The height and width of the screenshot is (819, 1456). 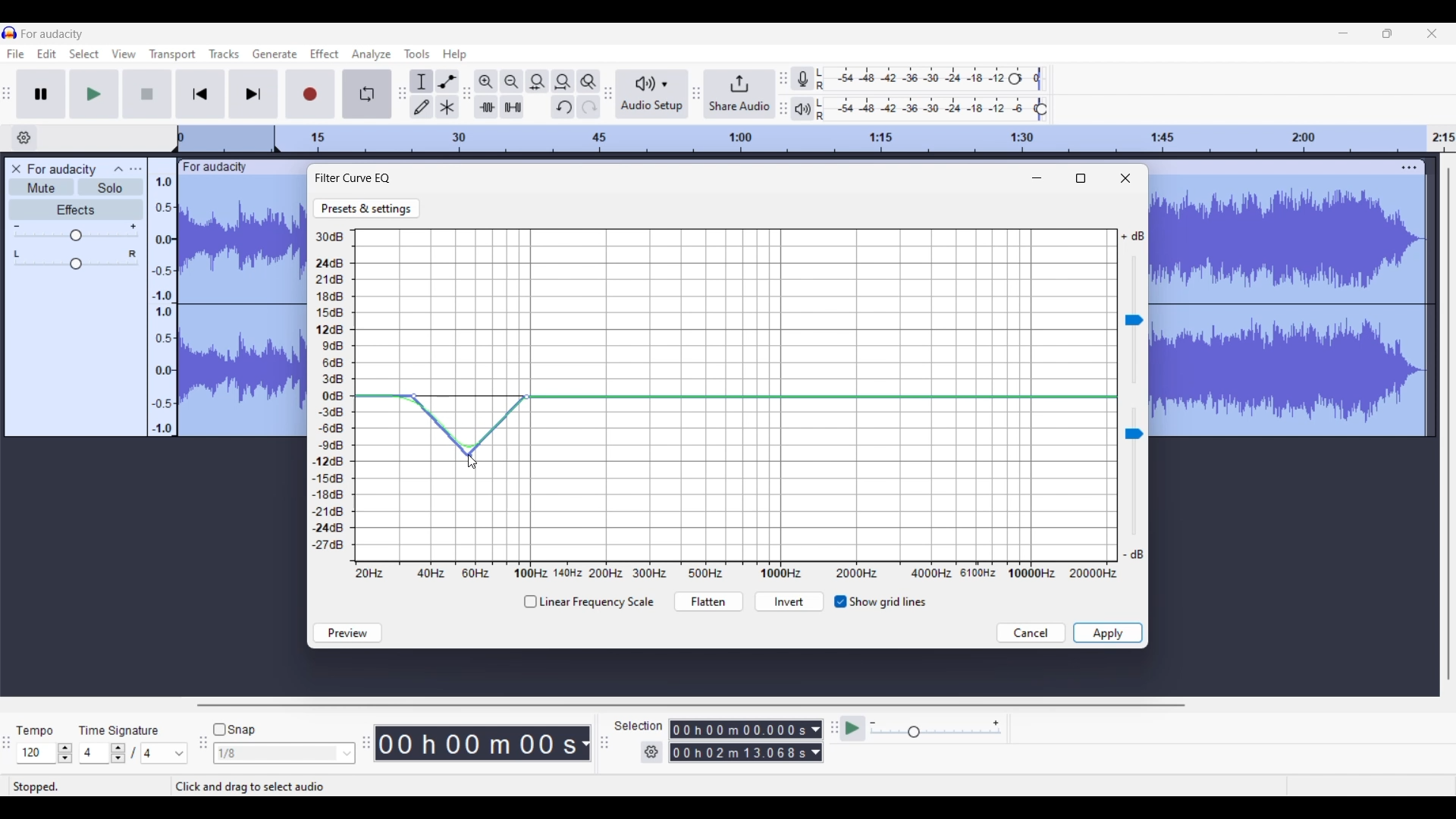 I want to click on Change sound, so click(x=1134, y=320).